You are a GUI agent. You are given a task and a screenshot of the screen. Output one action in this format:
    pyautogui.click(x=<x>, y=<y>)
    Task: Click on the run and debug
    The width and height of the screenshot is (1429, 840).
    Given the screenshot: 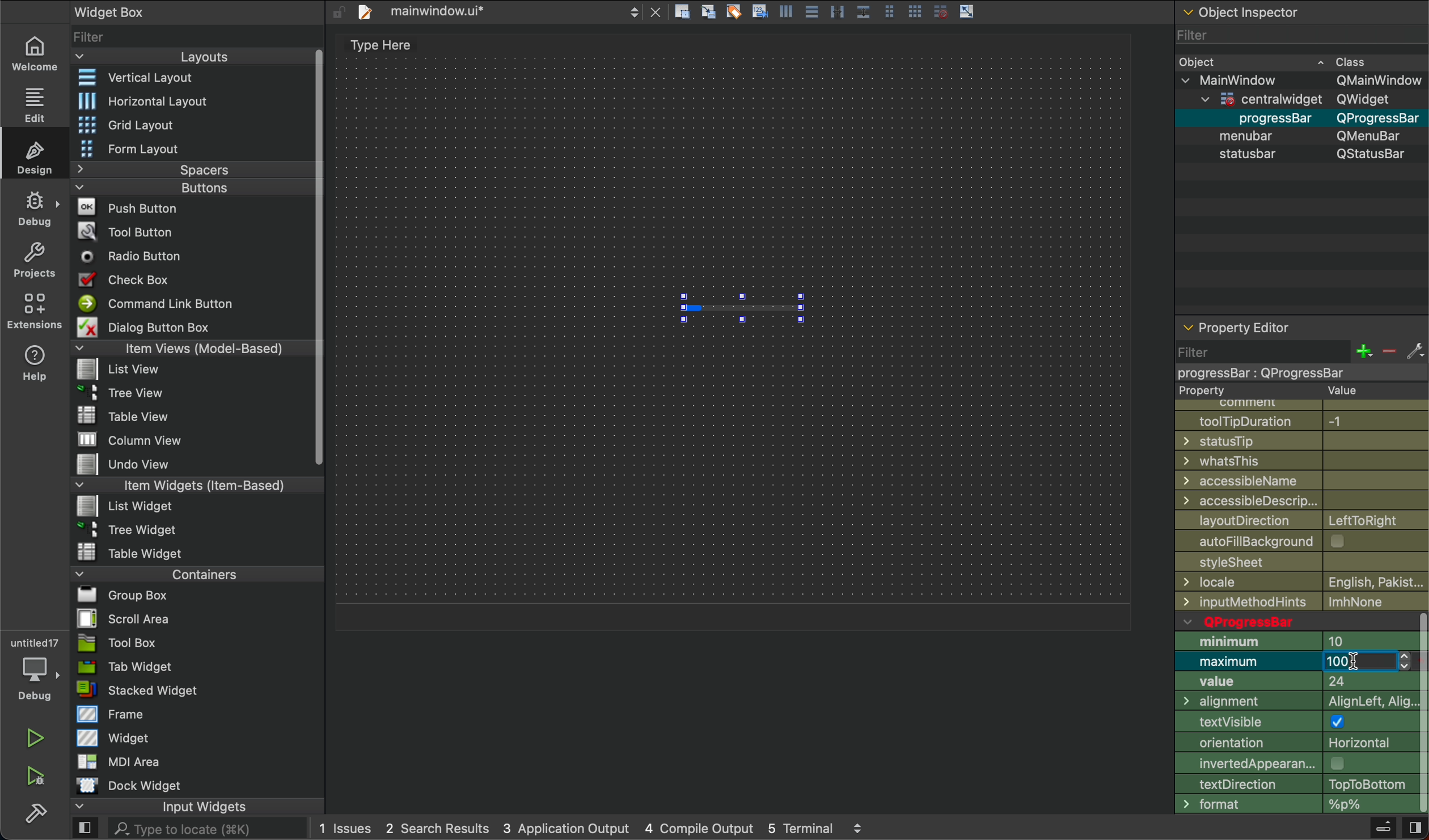 What is the action you would take?
    pyautogui.click(x=37, y=776)
    